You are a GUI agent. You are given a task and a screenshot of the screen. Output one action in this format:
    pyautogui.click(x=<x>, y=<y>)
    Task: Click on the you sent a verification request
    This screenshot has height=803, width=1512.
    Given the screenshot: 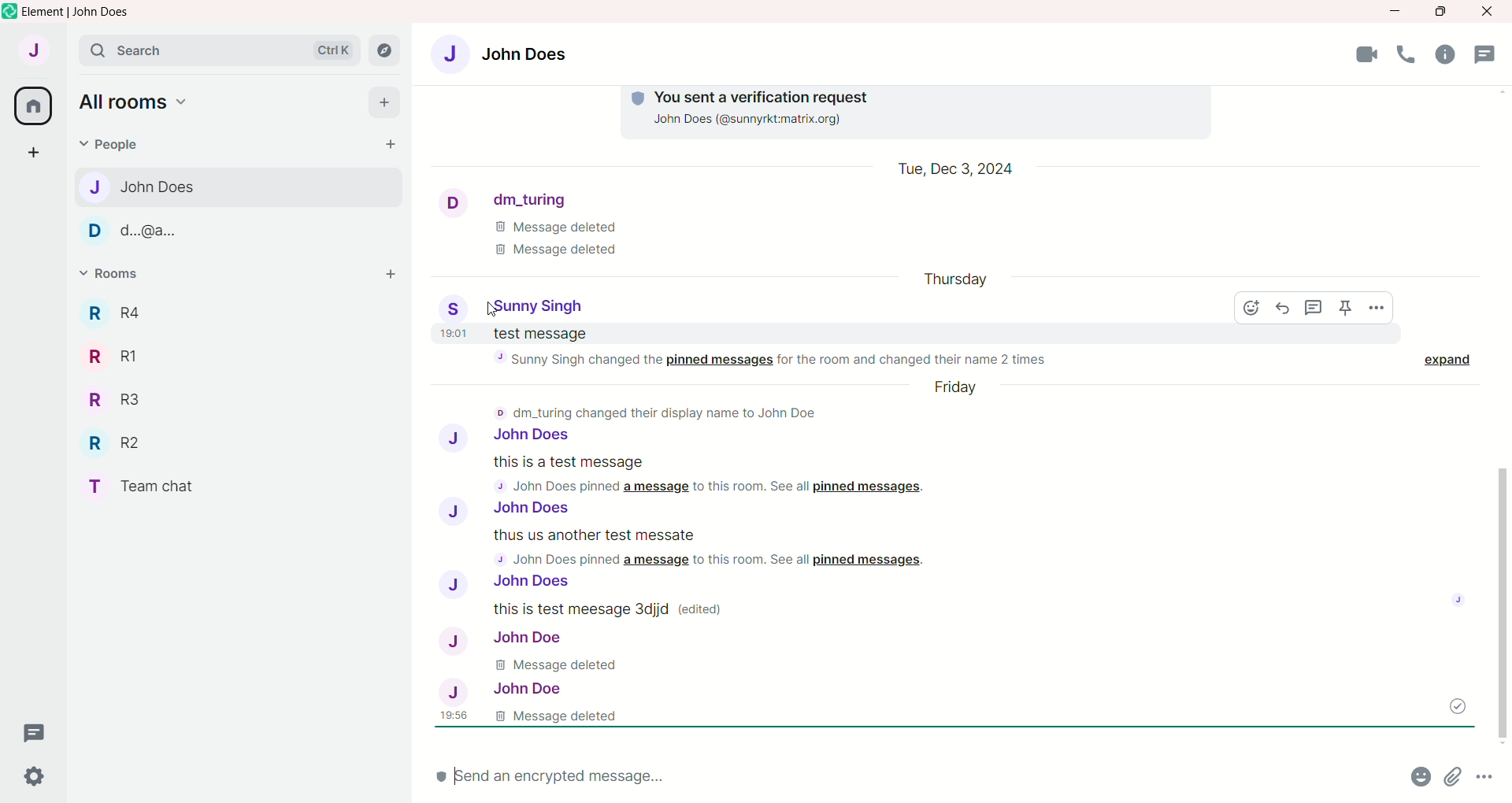 What is the action you would take?
    pyautogui.click(x=933, y=112)
    